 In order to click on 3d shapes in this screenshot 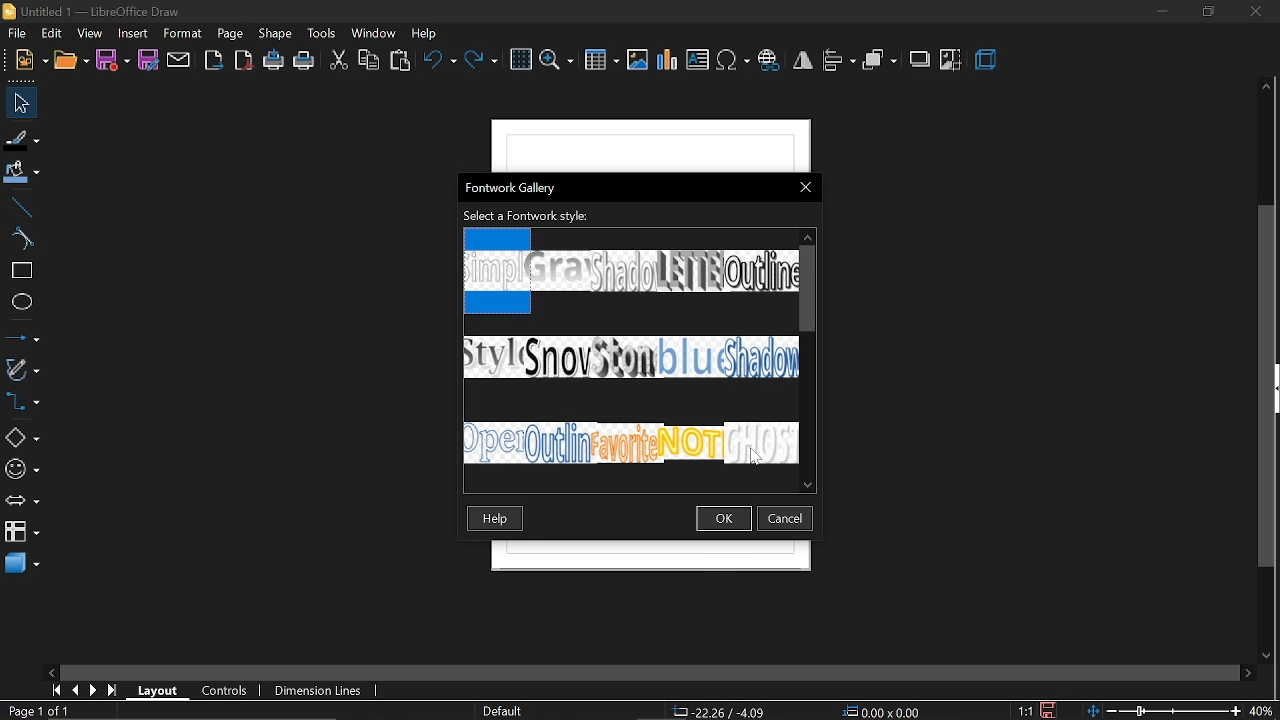, I will do `click(20, 565)`.